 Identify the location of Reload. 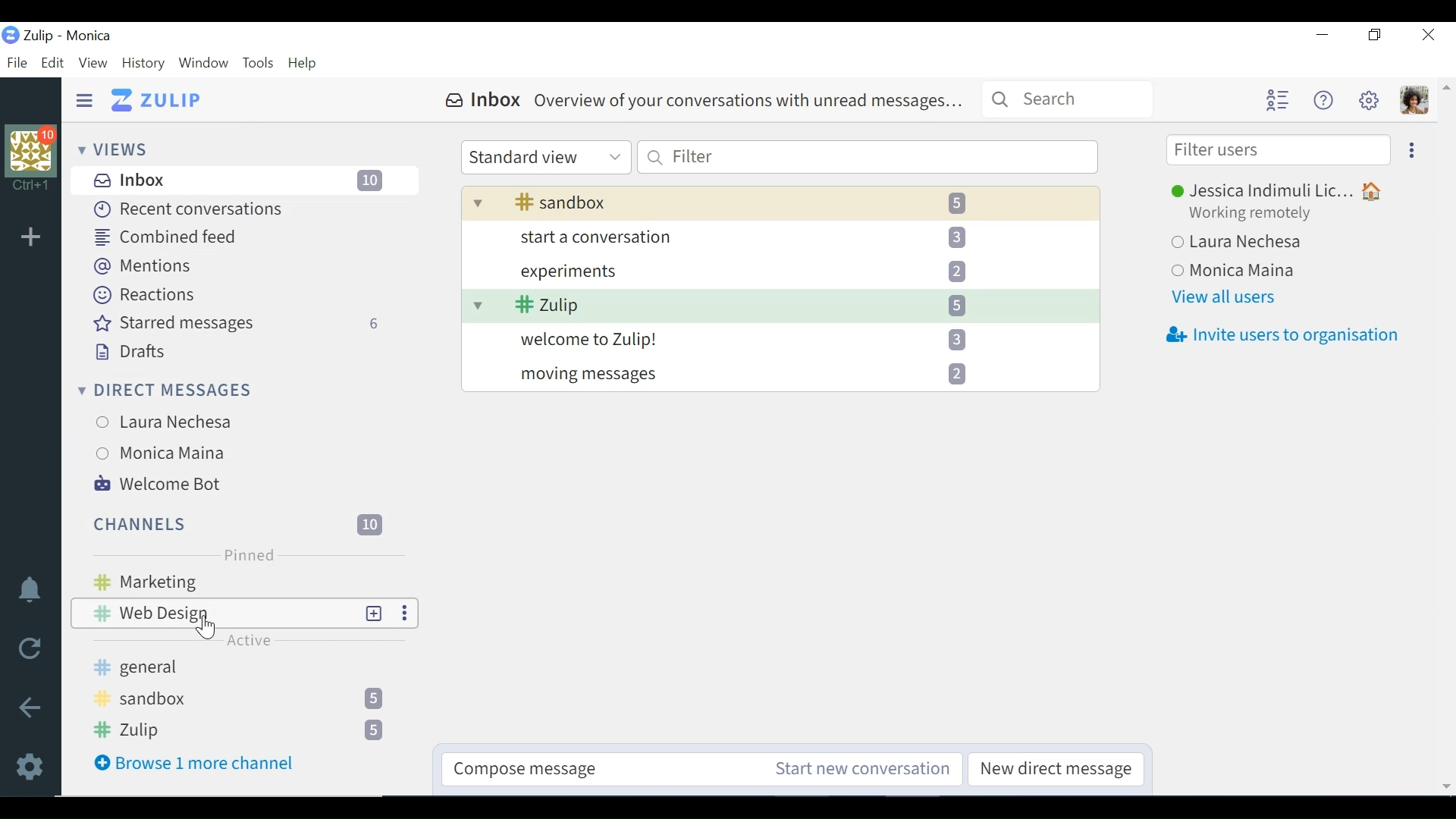
(29, 648).